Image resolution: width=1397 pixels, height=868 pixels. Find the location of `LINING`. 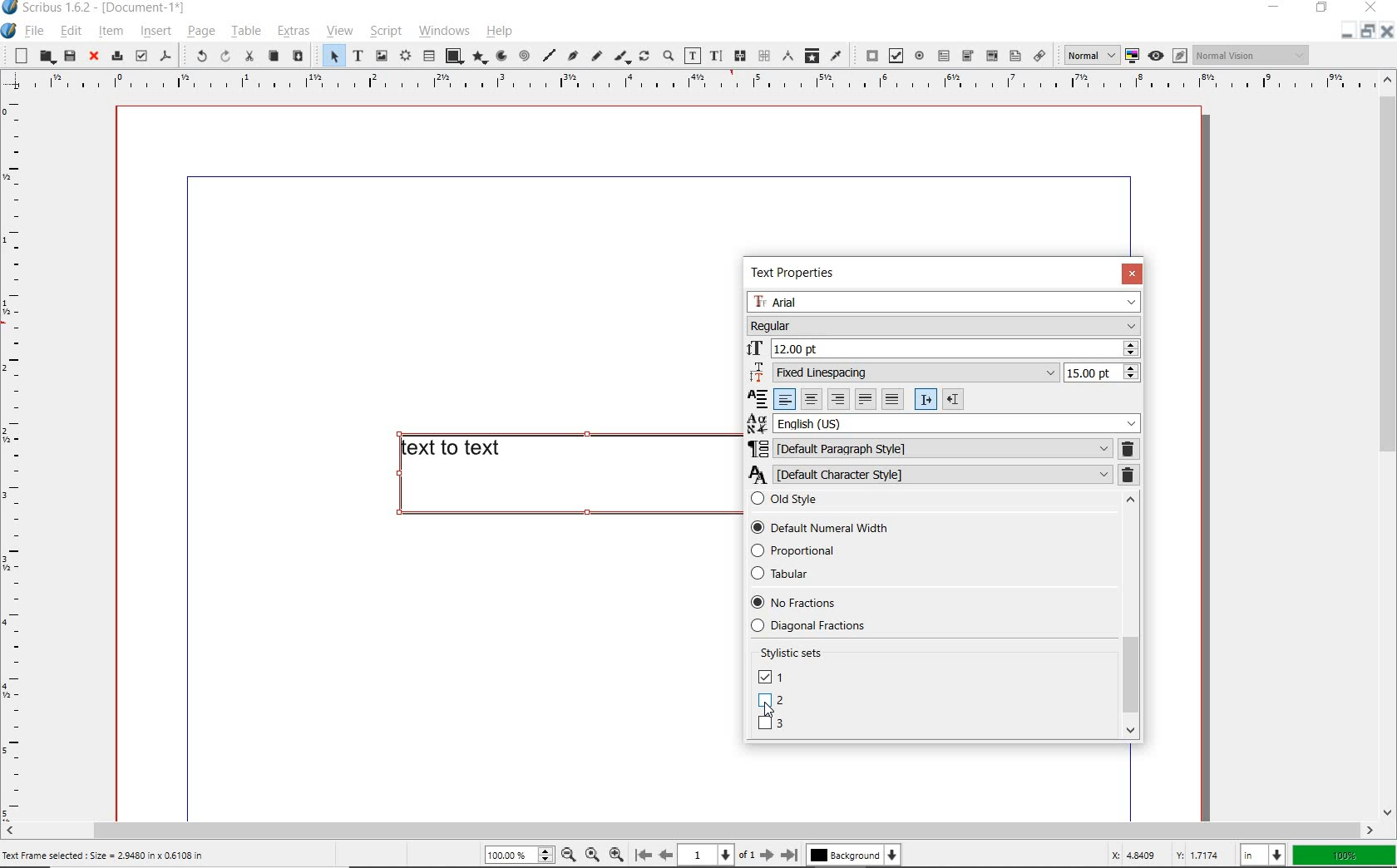

LINING is located at coordinates (772, 725).